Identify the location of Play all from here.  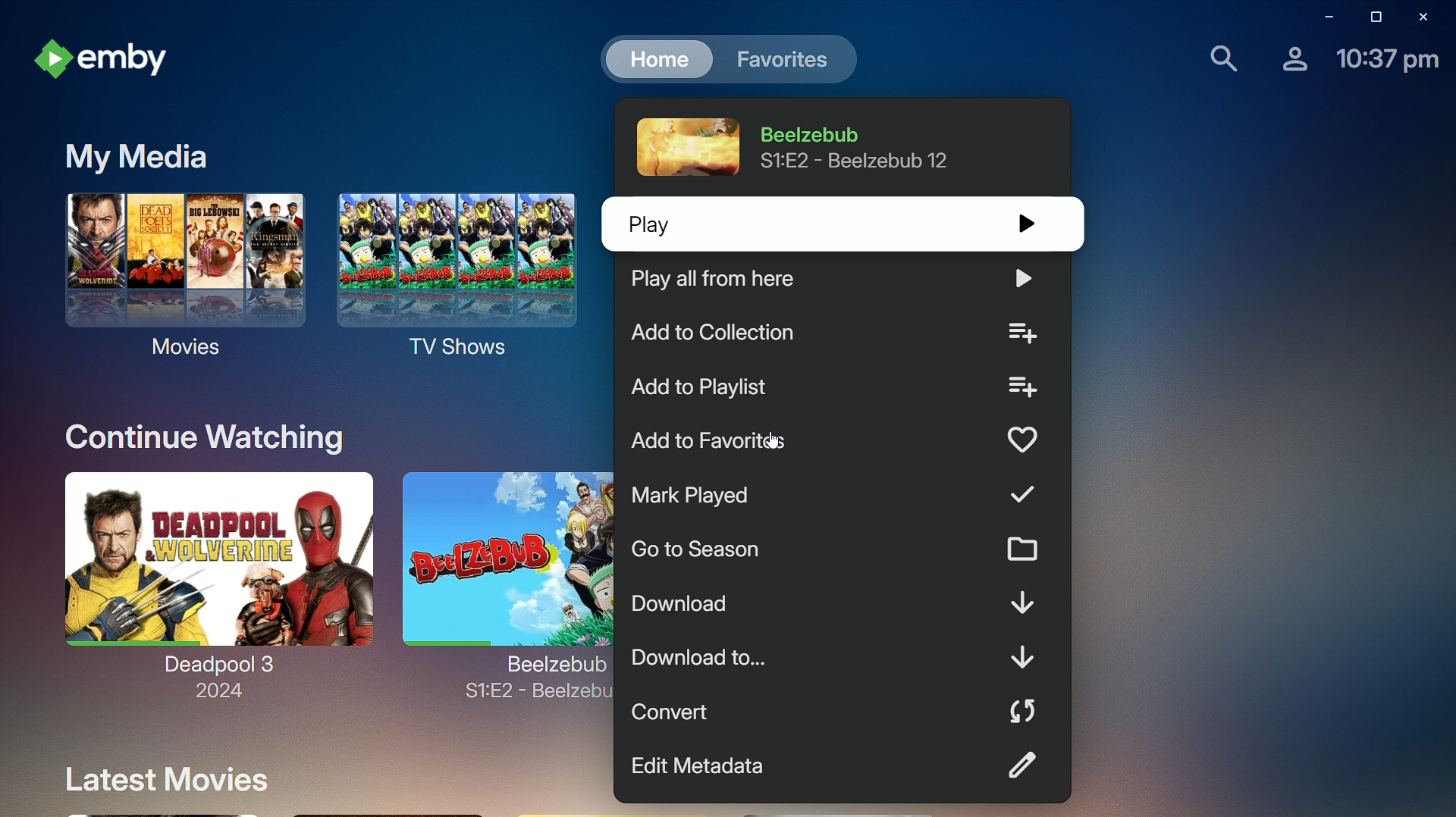
(835, 280).